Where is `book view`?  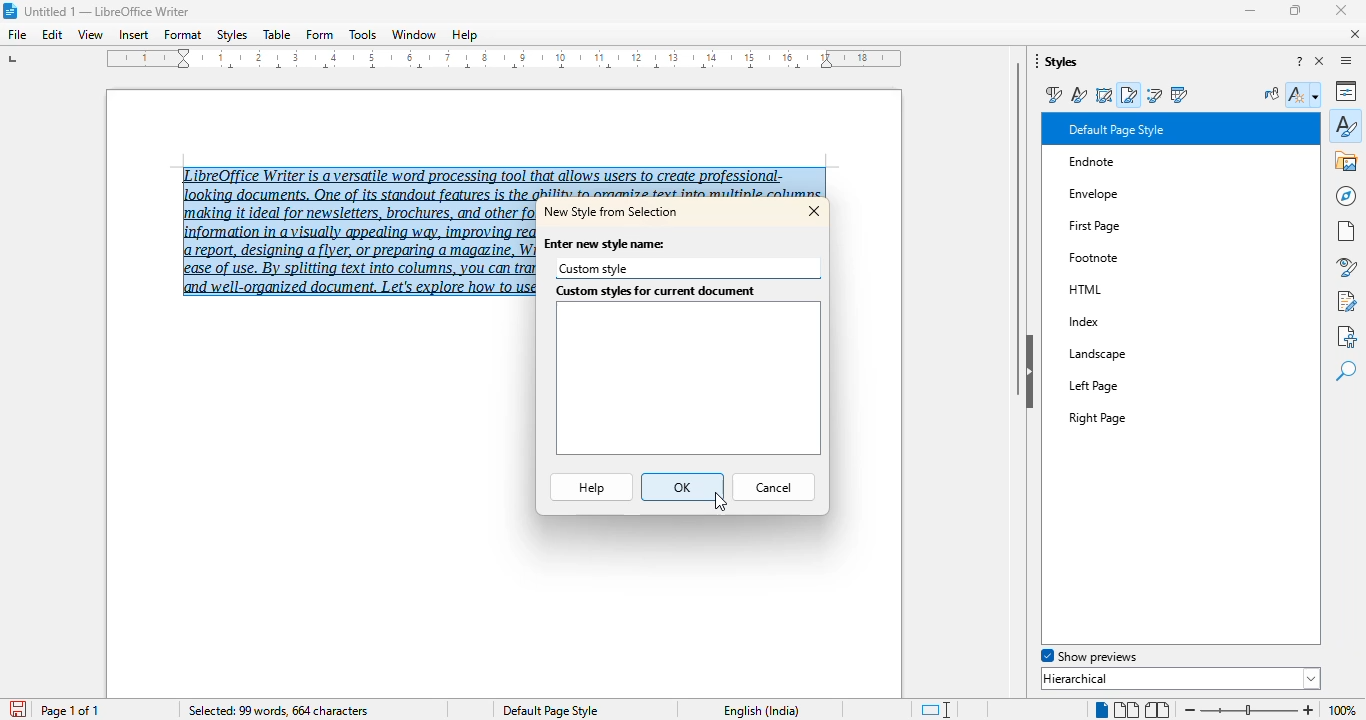 book view is located at coordinates (1157, 710).